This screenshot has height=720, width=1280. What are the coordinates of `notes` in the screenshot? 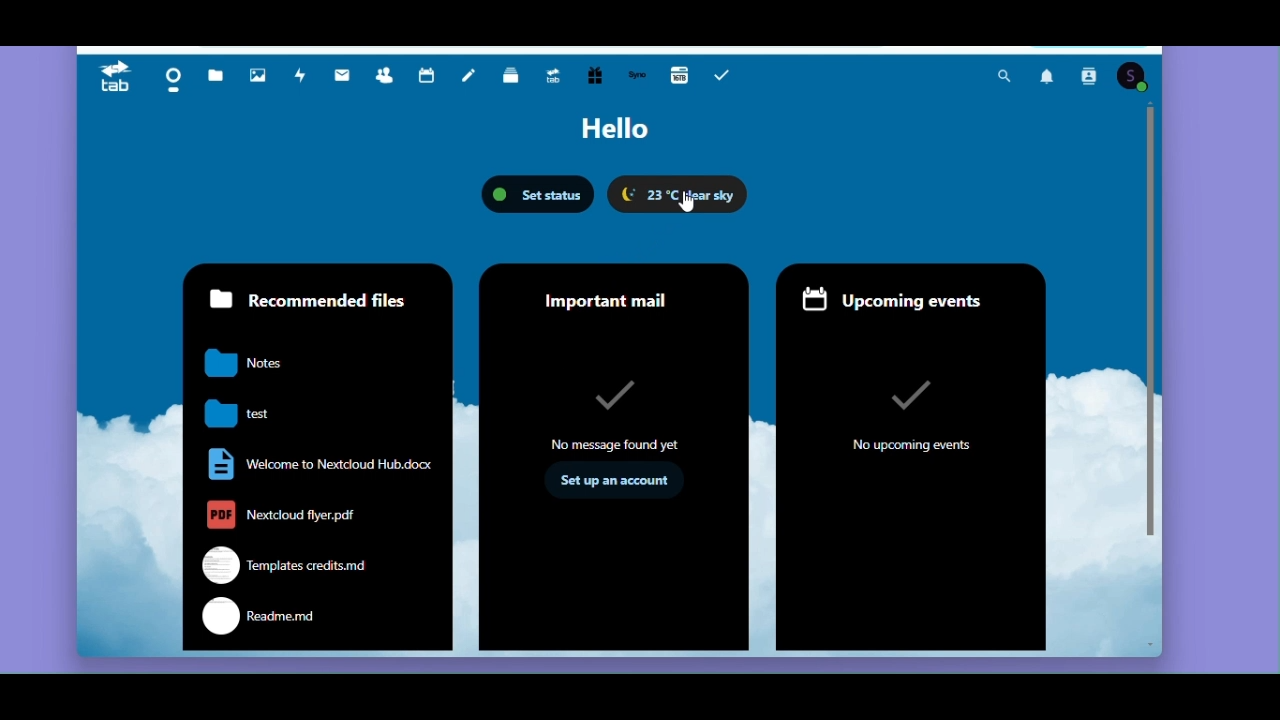 It's located at (240, 362).